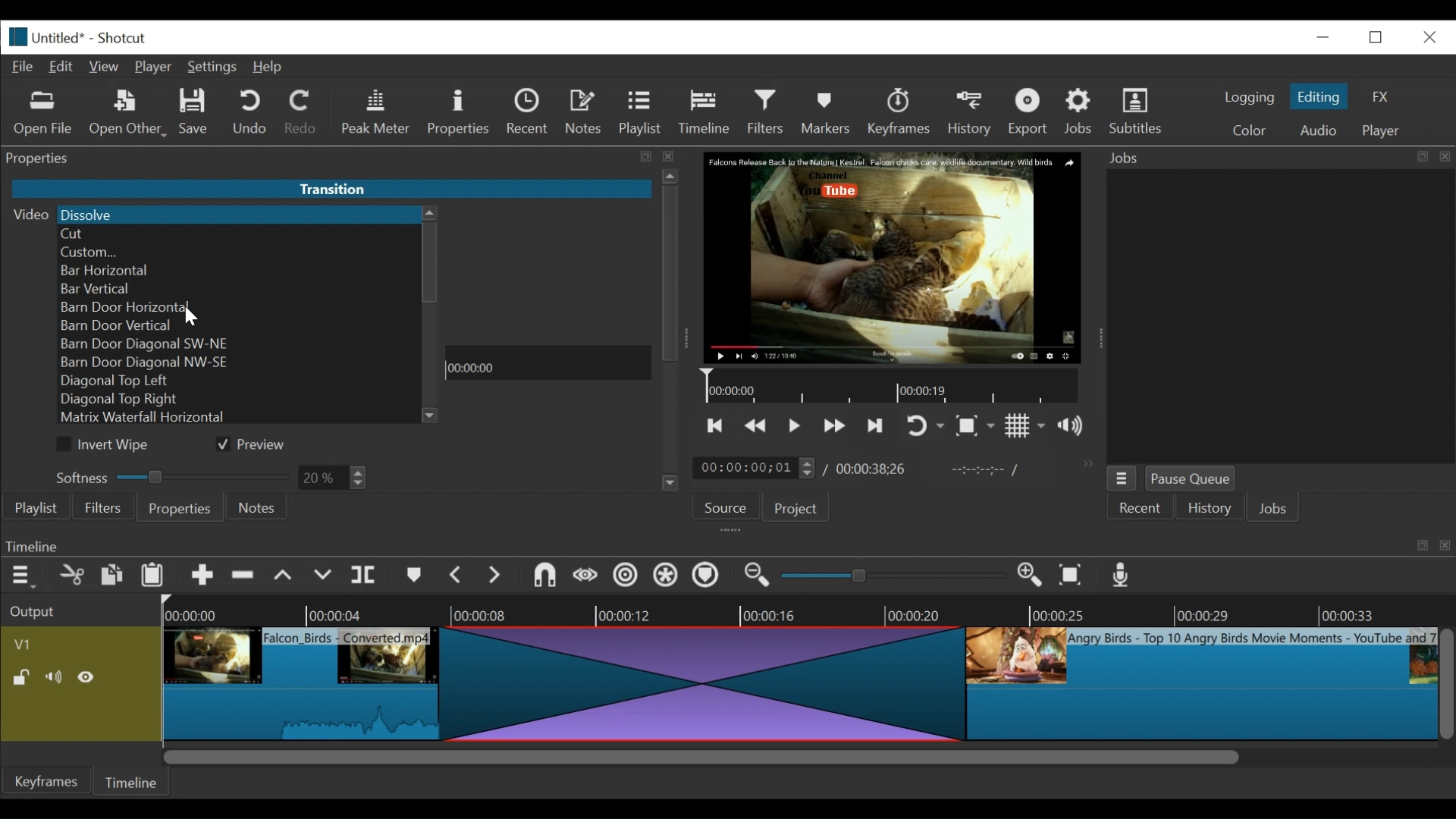 Image resolution: width=1456 pixels, height=819 pixels. I want to click on Timeline, so click(894, 387).